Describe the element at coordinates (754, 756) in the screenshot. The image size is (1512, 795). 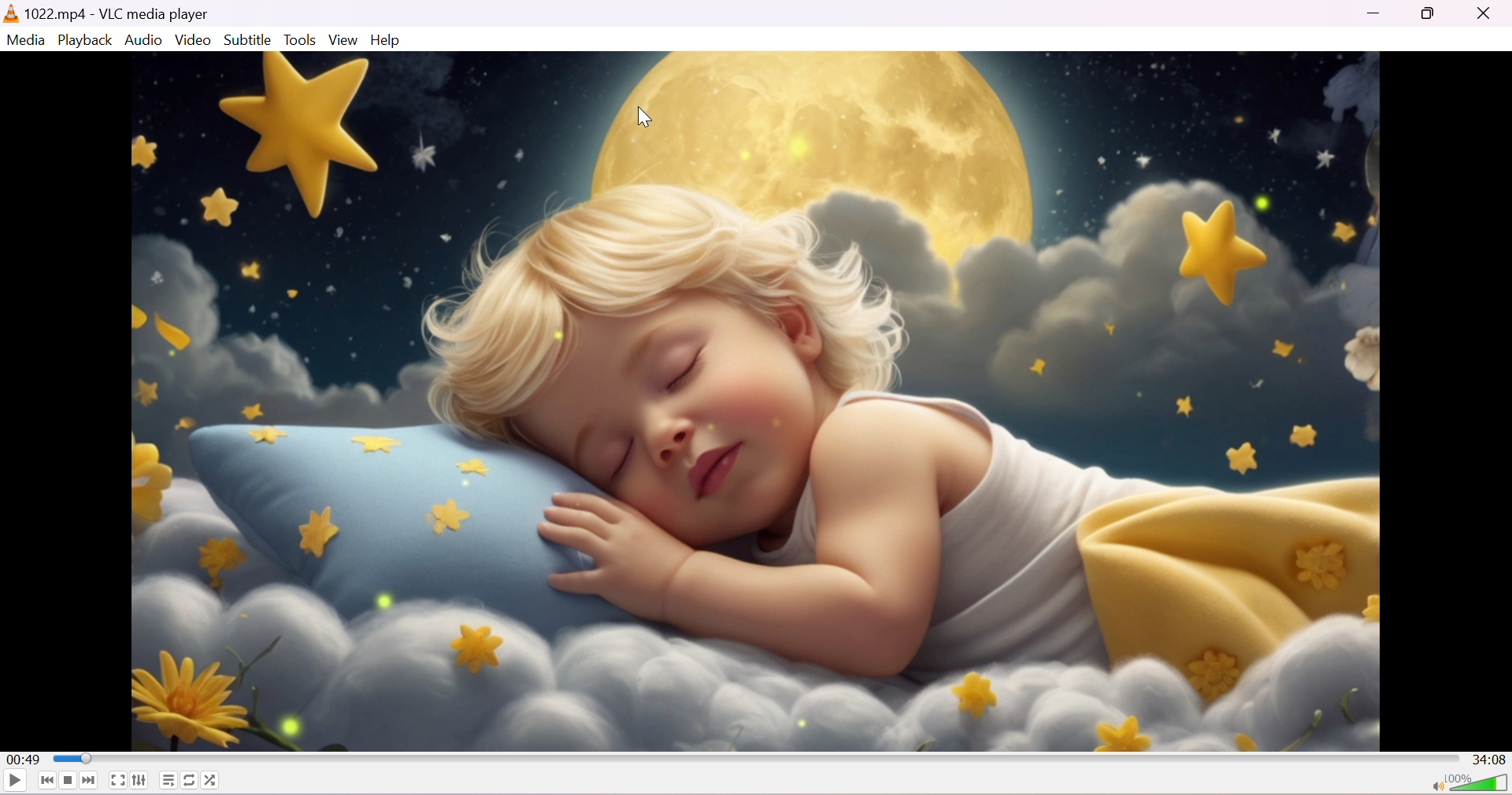
I see `Progress bar` at that location.